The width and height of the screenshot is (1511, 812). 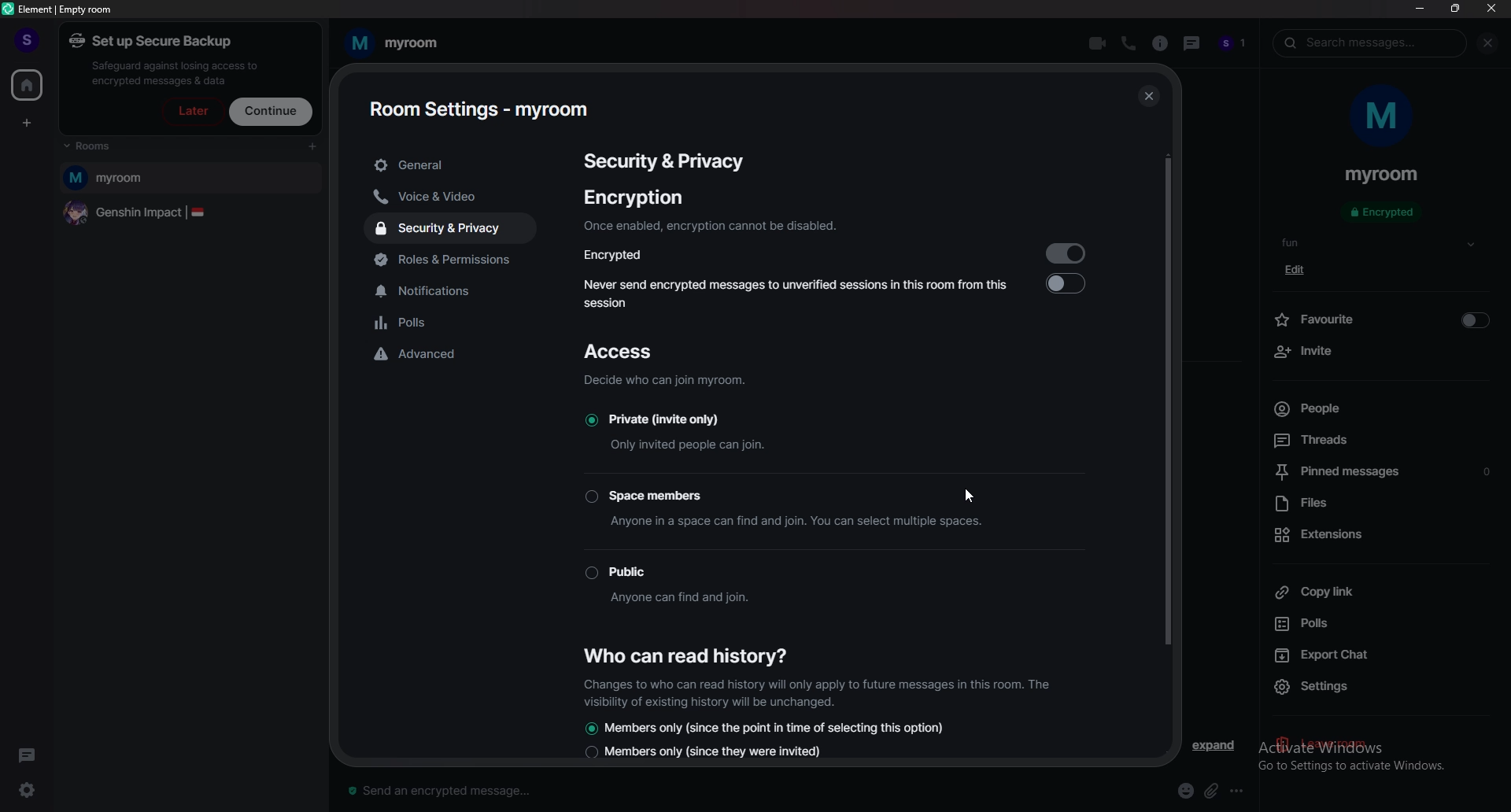 What do you see at coordinates (188, 215) in the screenshot?
I see `genshin impact |` at bounding box center [188, 215].